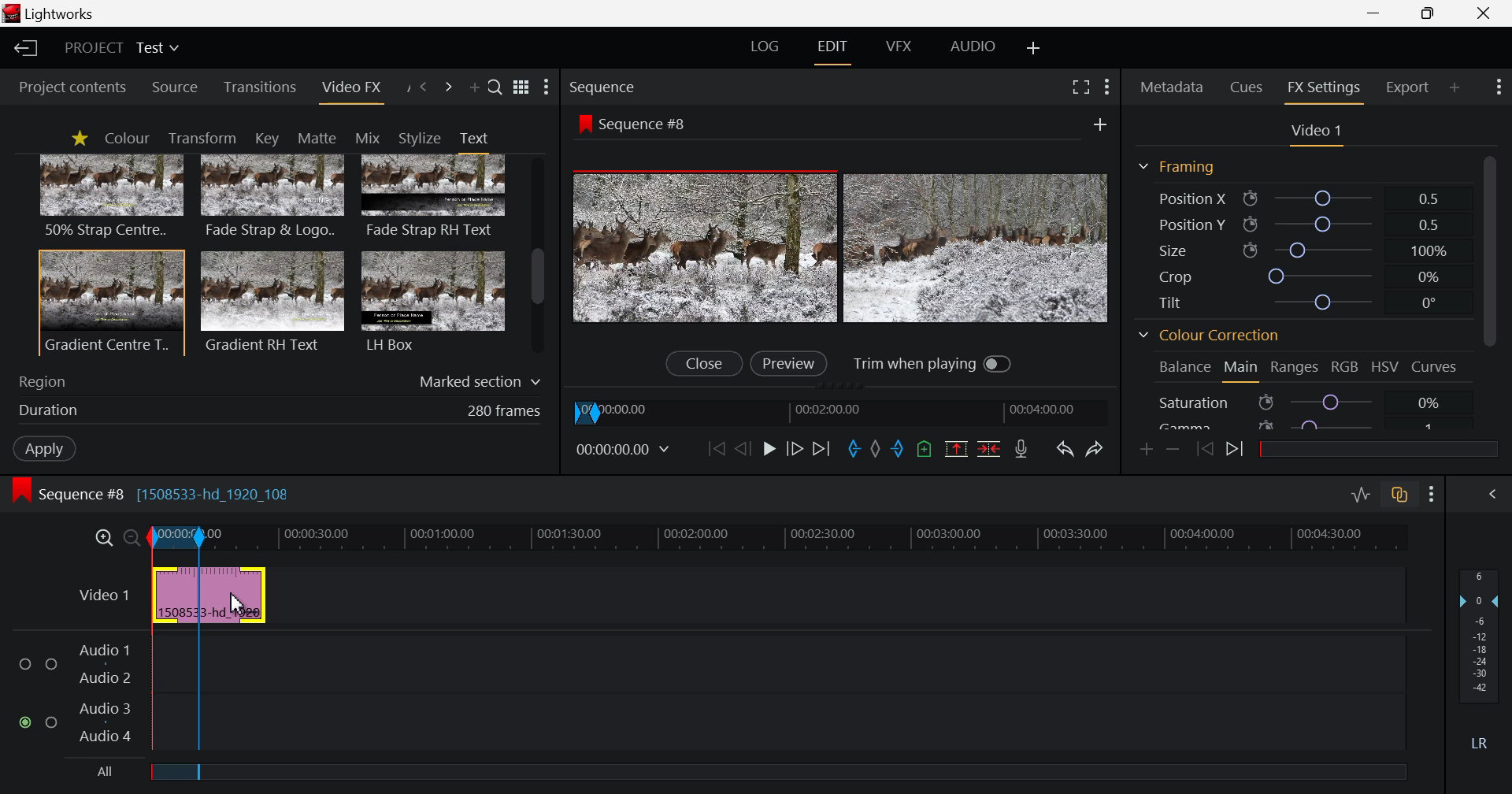  Describe the element at coordinates (1304, 302) in the screenshot. I see `Tilt` at that location.